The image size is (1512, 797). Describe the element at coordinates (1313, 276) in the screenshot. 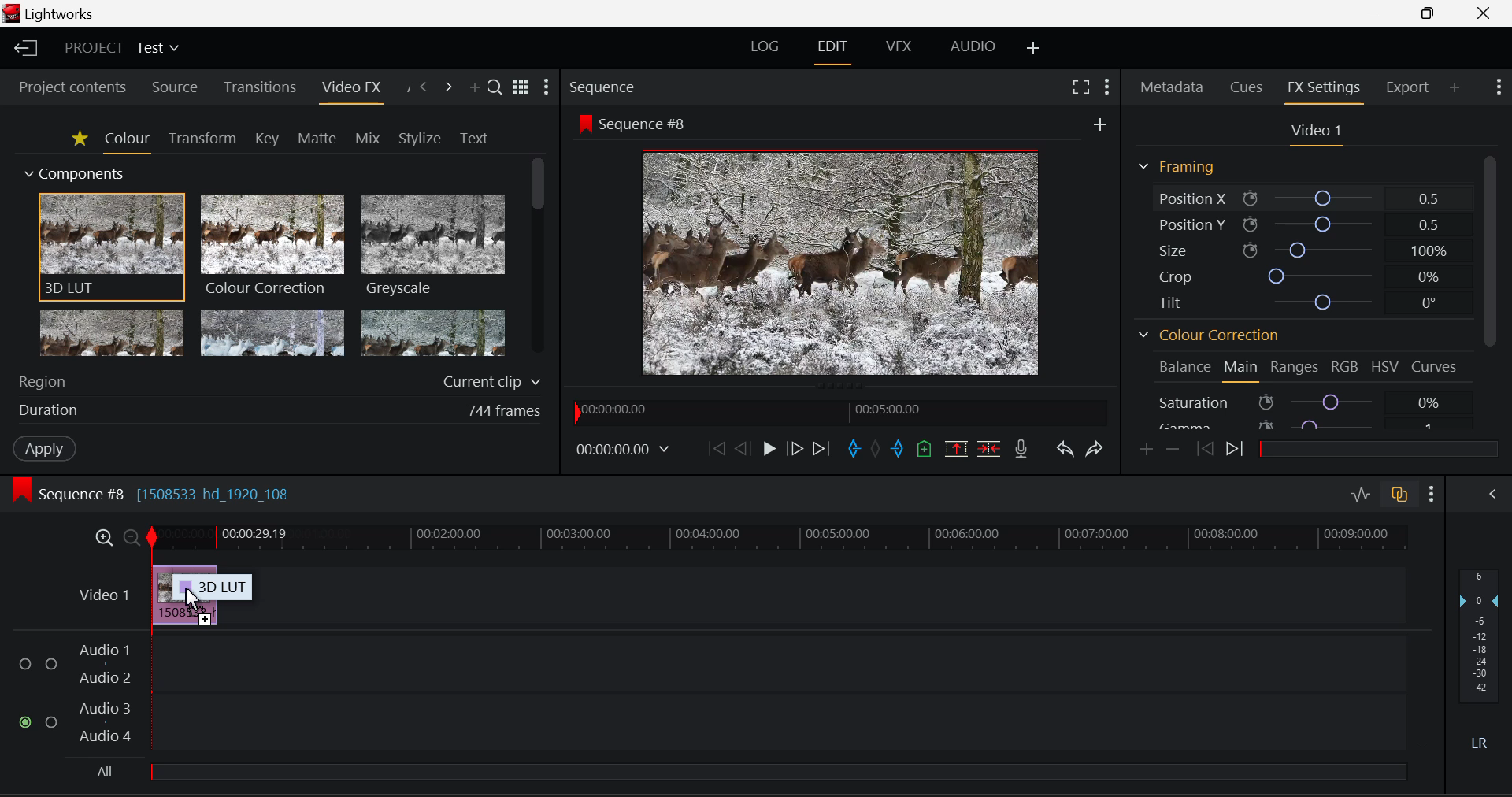

I see `Crop` at that location.